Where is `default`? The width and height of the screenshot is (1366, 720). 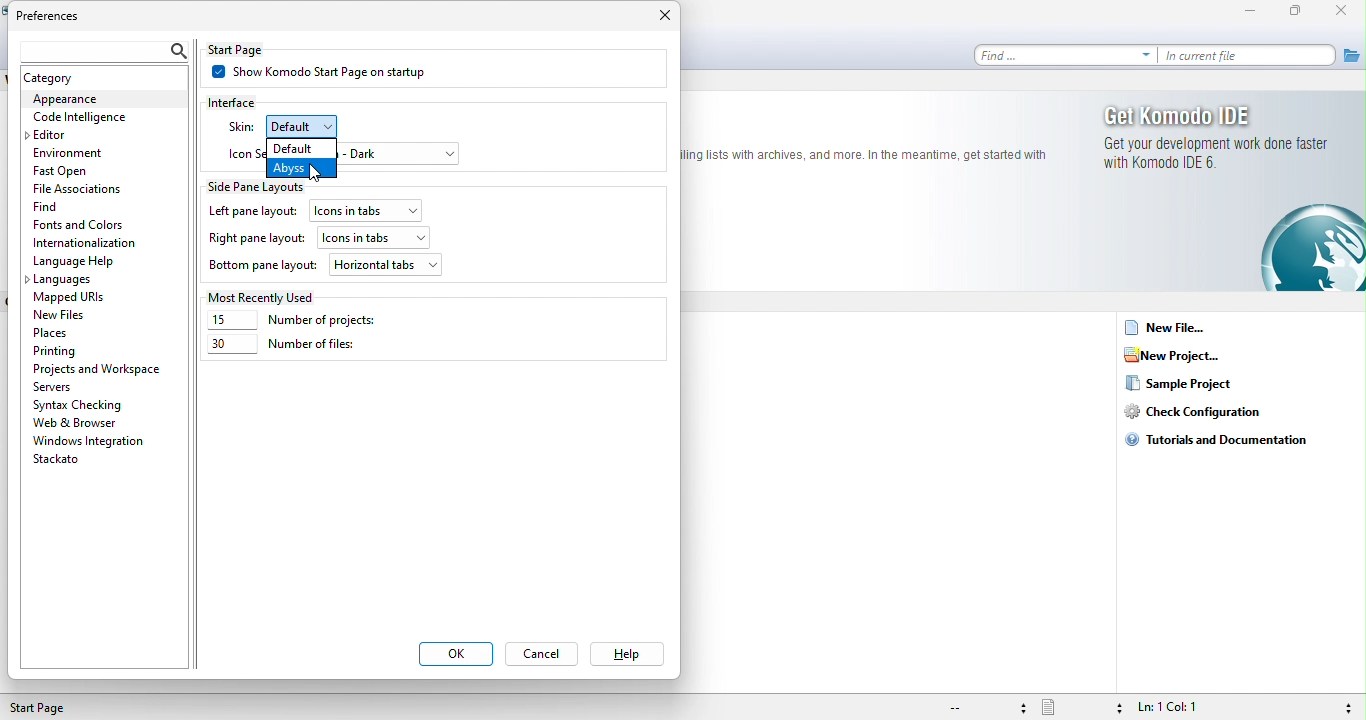
default is located at coordinates (302, 149).